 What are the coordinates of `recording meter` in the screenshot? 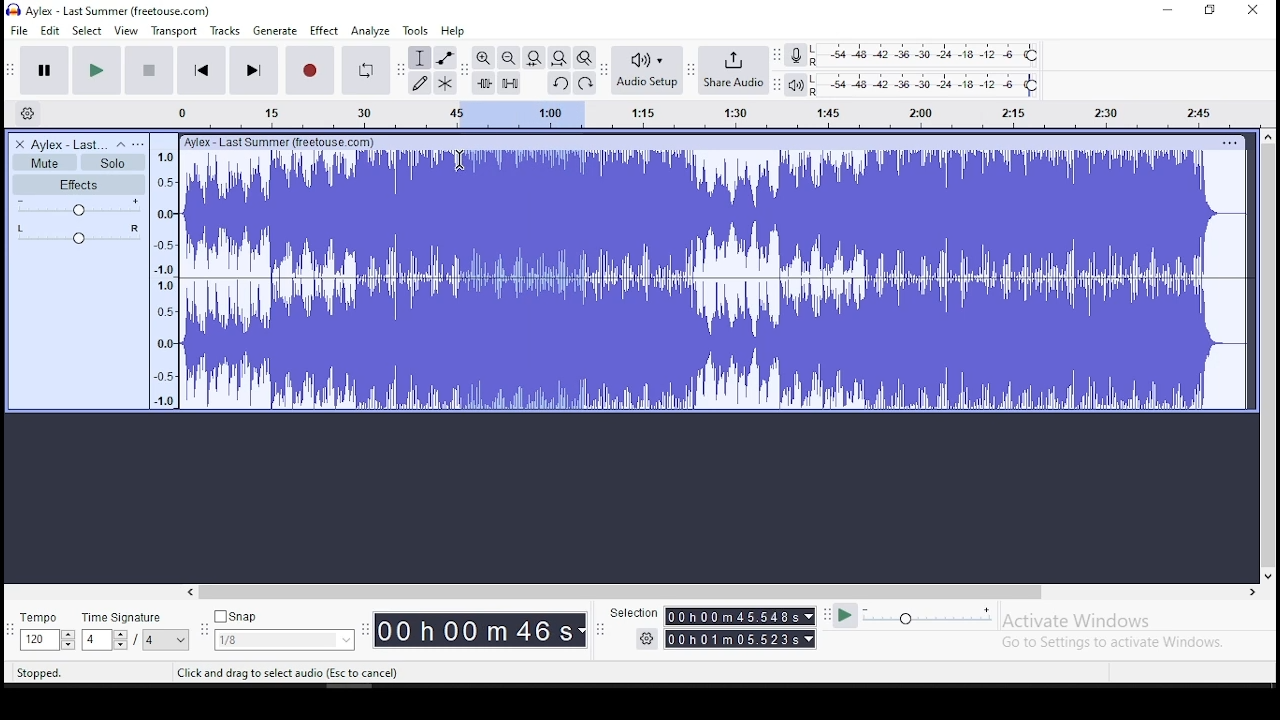 It's located at (801, 53).